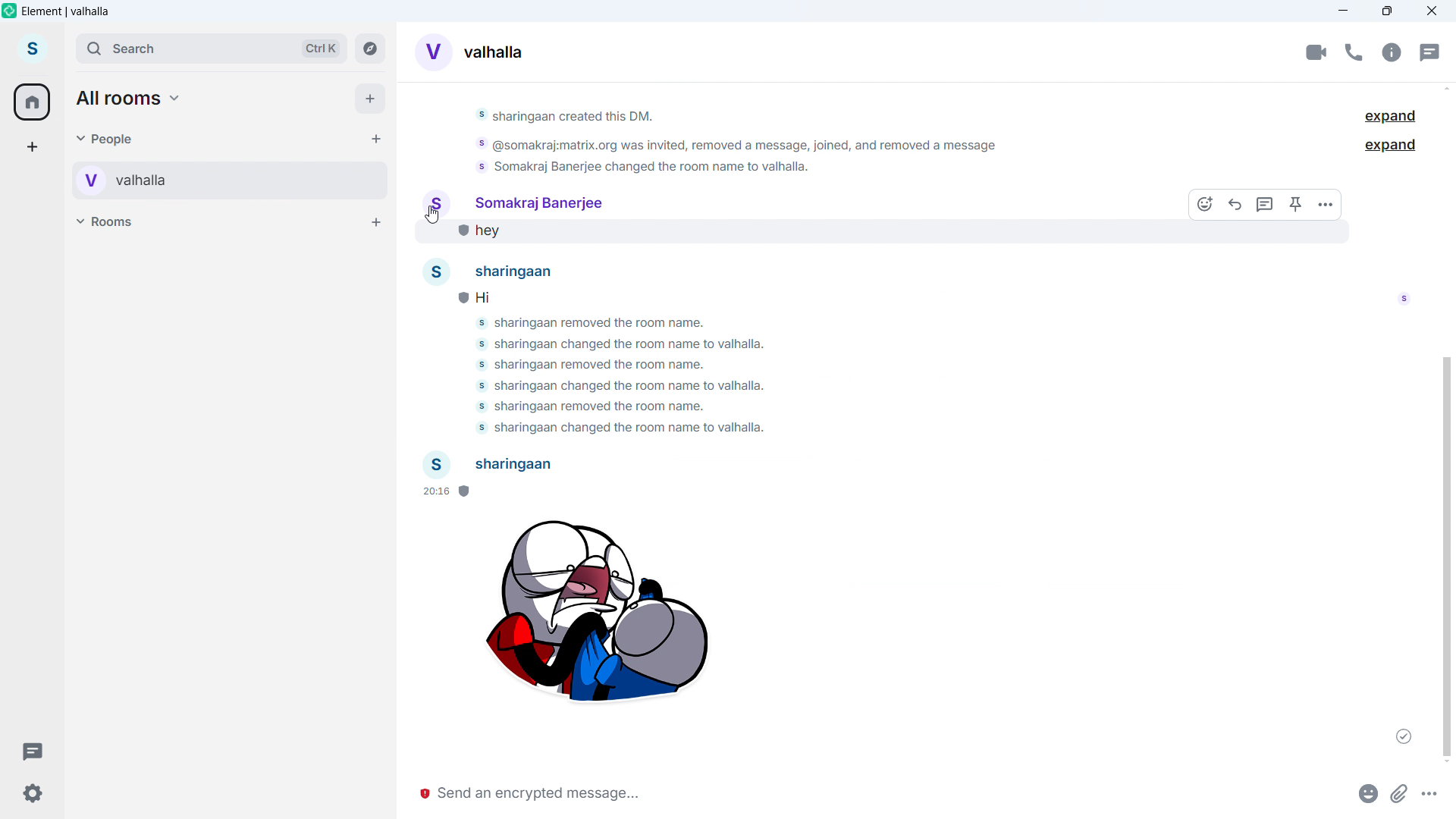 This screenshot has height=819, width=1456. What do you see at coordinates (370, 49) in the screenshot?
I see `Explore rooms ` at bounding box center [370, 49].